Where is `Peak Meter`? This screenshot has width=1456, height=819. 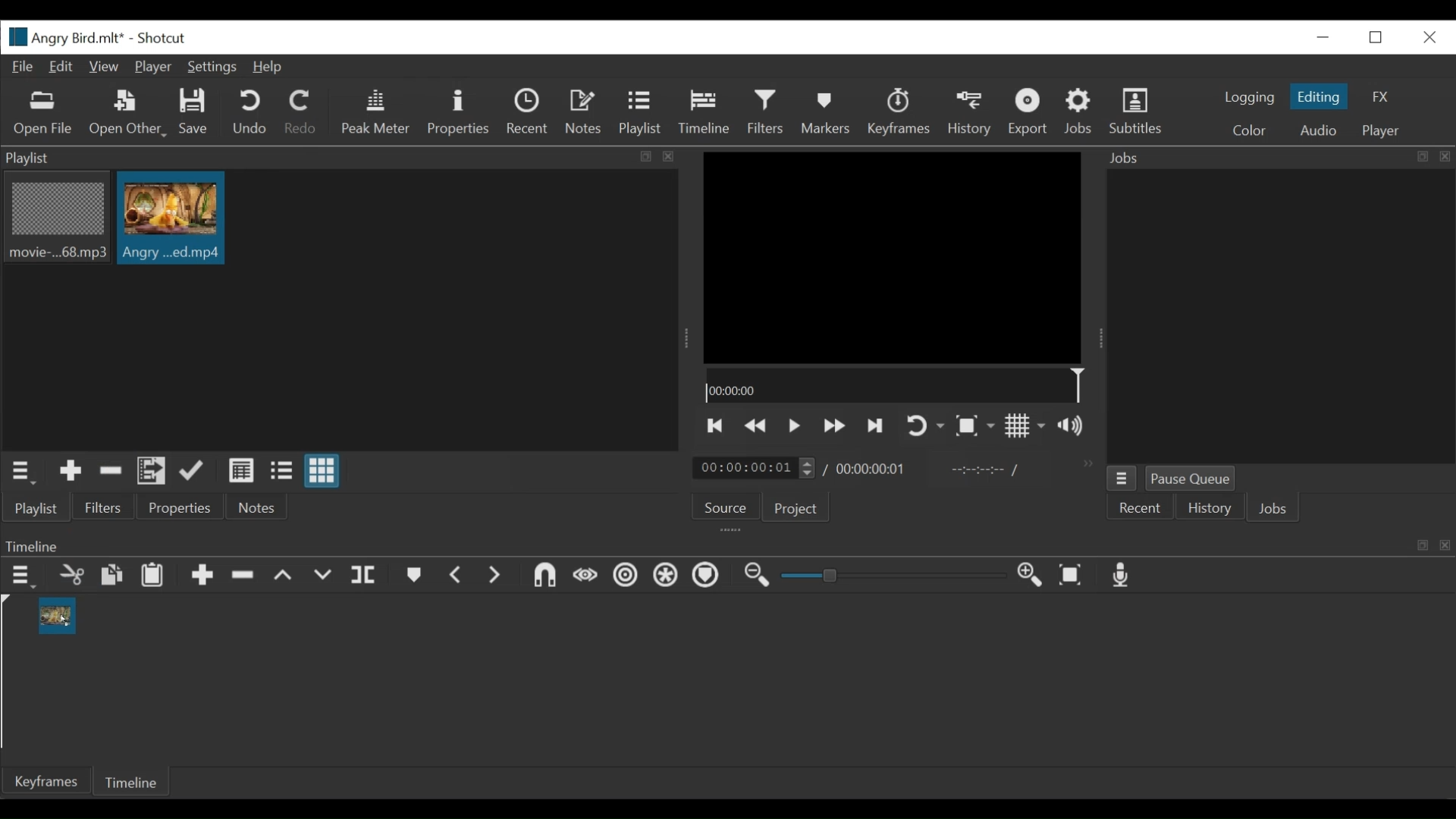 Peak Meter is located at coordinates (376, 112).